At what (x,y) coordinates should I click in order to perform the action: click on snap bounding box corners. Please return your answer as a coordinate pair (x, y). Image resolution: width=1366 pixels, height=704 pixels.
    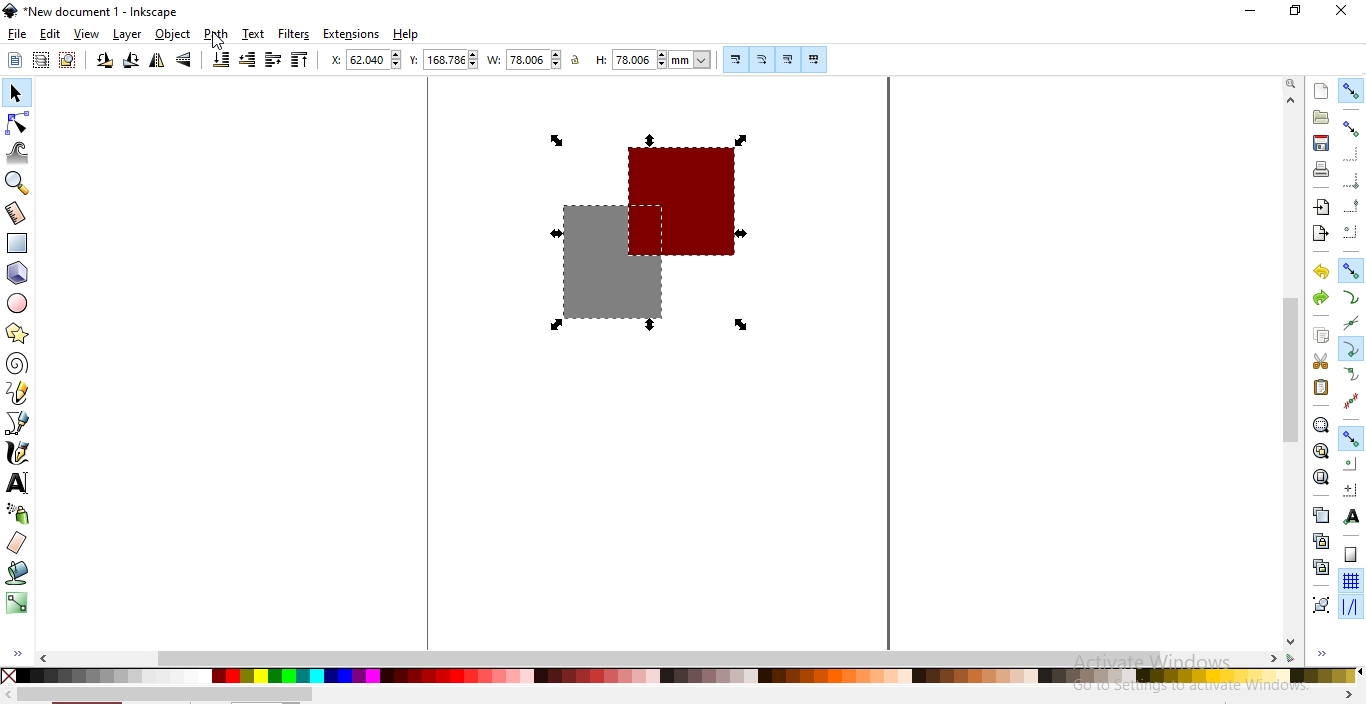
    Looking at the image, I should click on (1350, 154).